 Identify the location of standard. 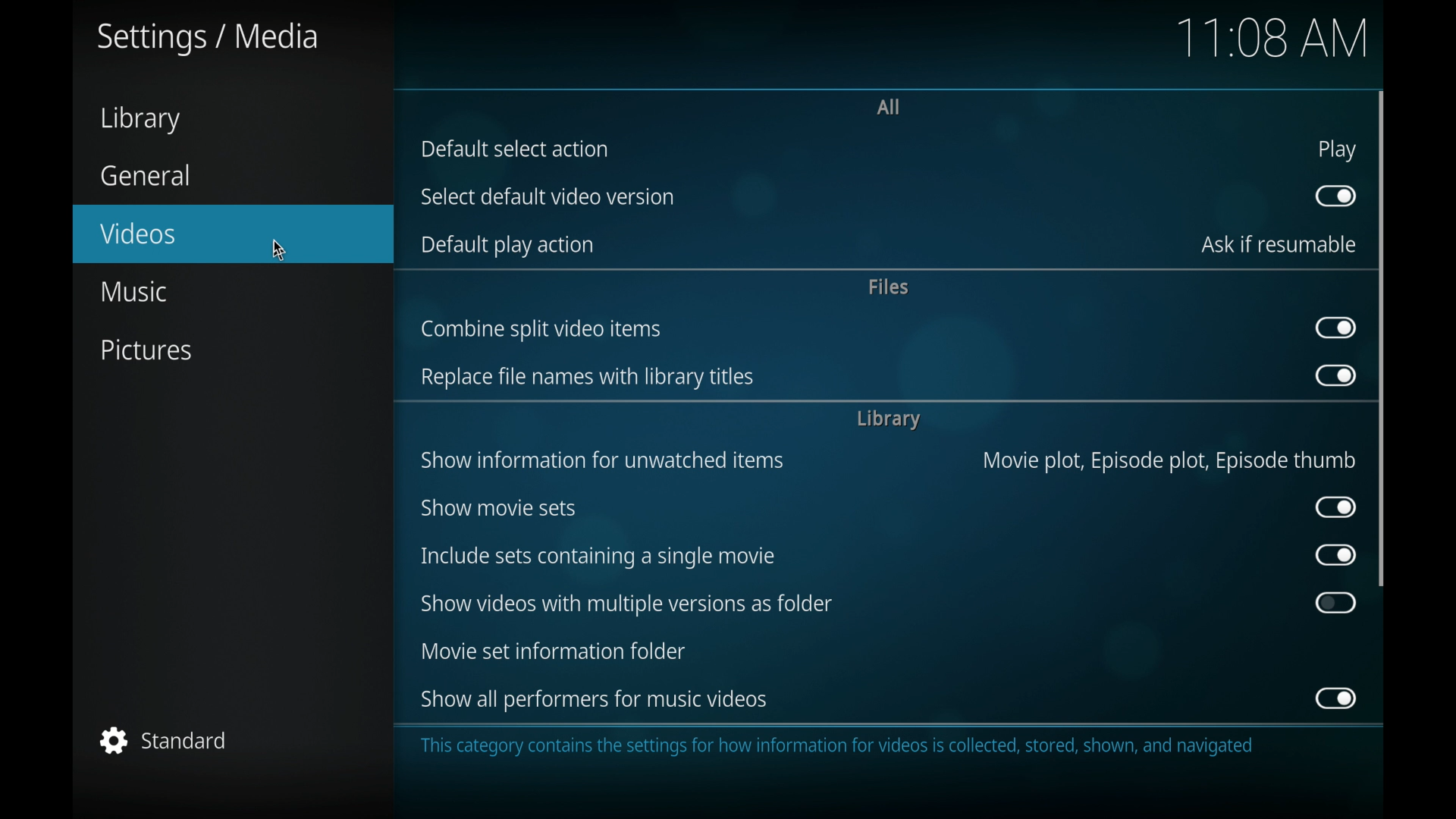
(165, 740).